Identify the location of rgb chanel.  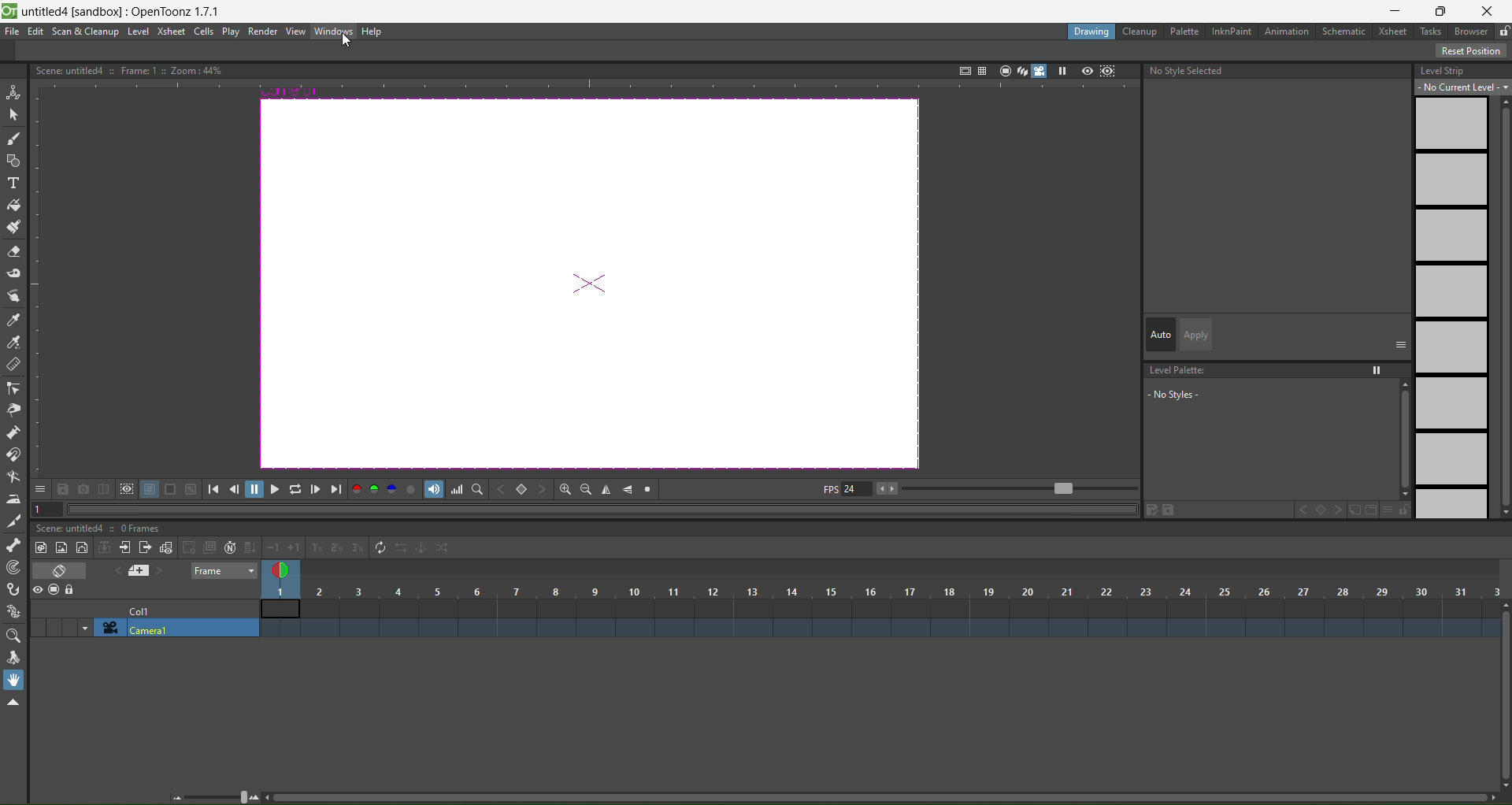
(376, 490).